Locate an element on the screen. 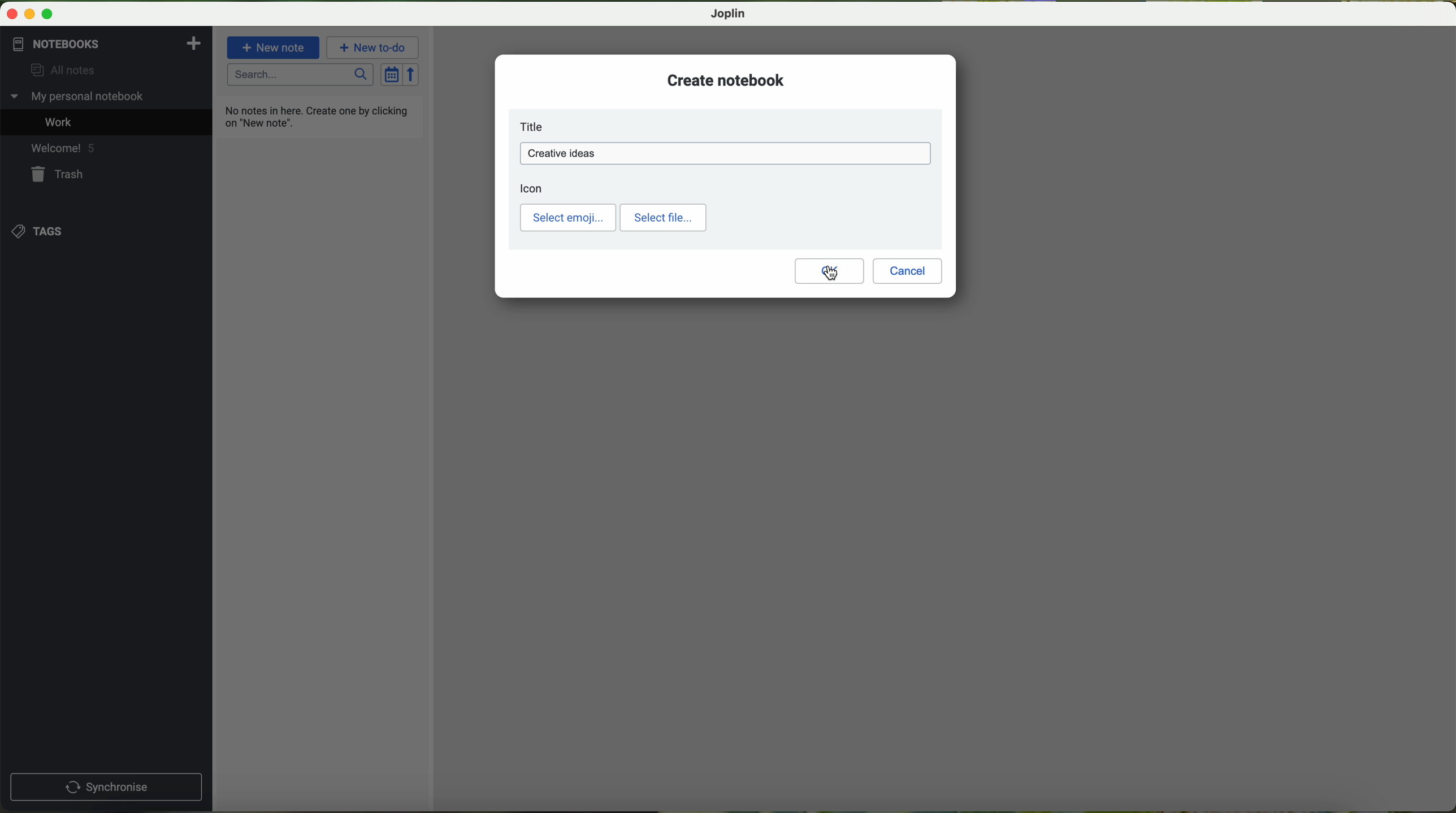 This screenshot has height=813, width=1456. add notebooks is located at coordinates (192, 42).